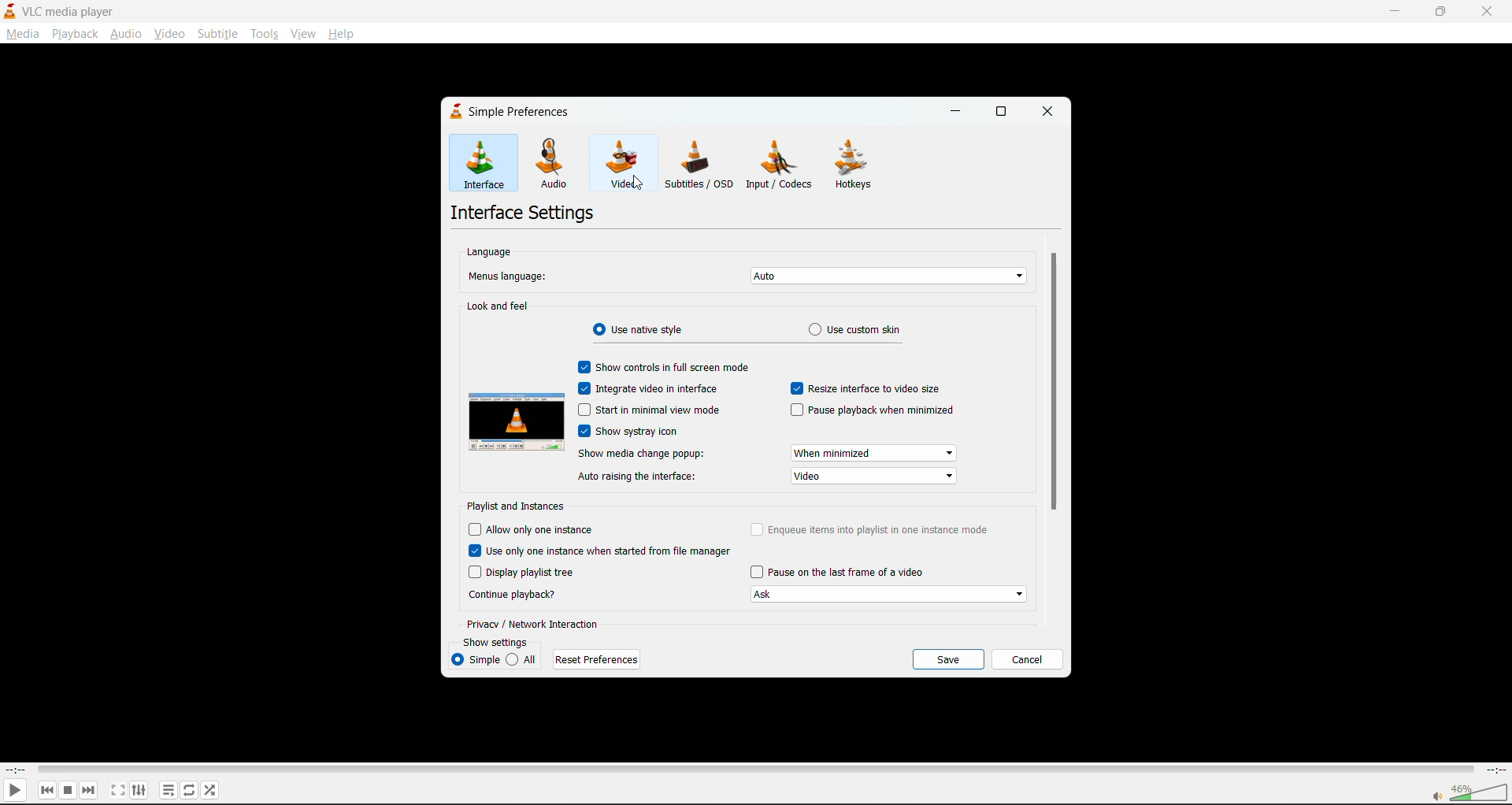  I want to click on interface, so click(483, 163).